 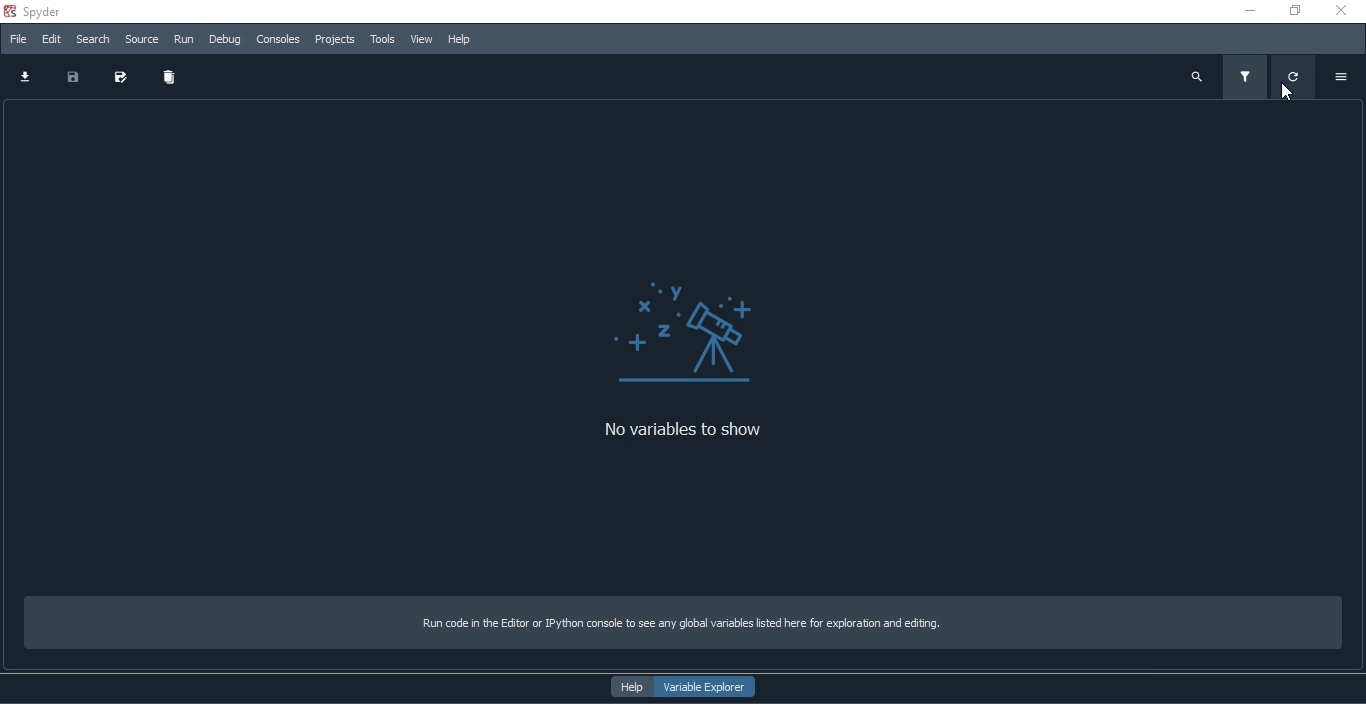 I want to click on View, so click(x=422, y=39).